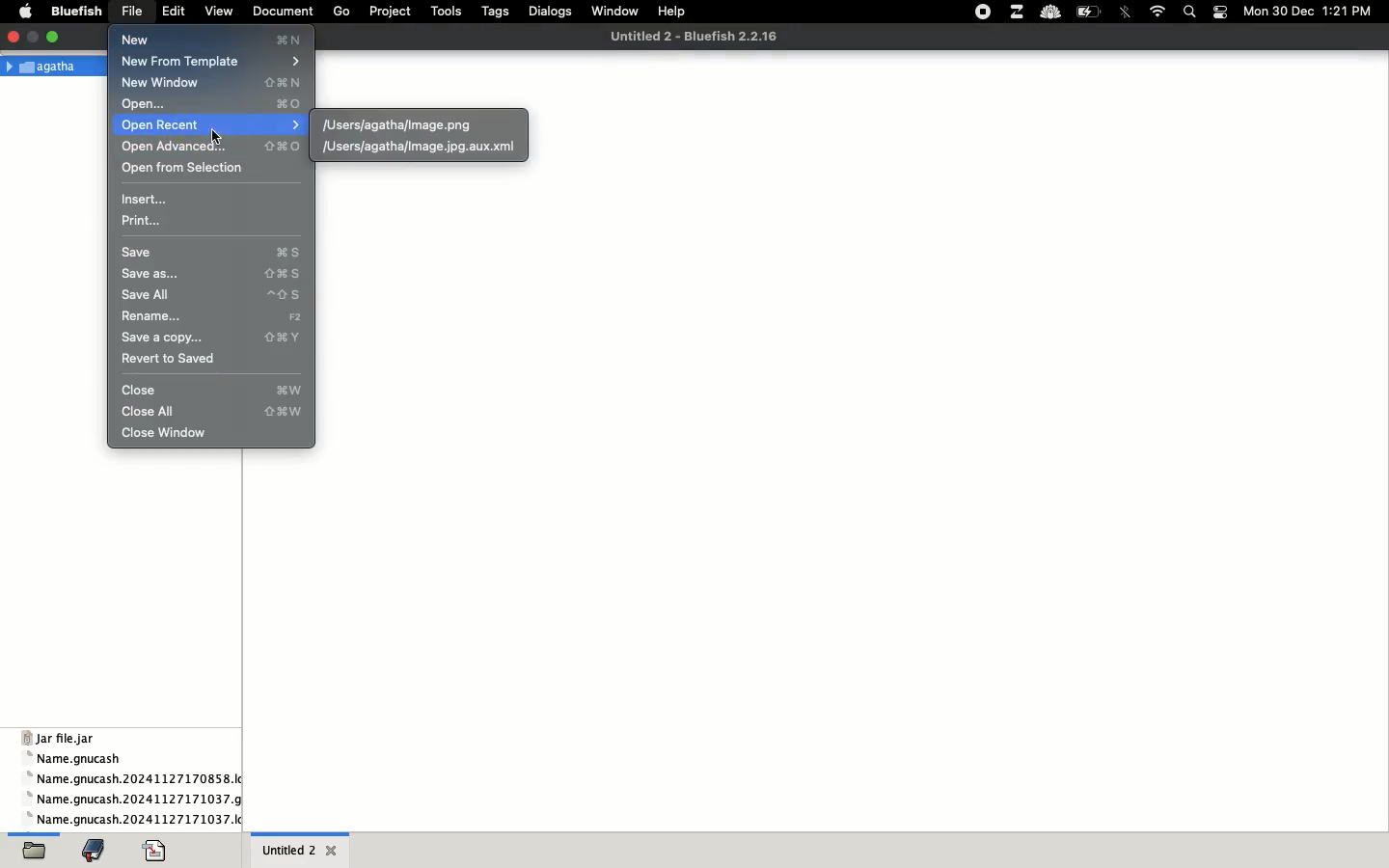 Image resolution: width=1389 pixels, height=868 pixels. Describe the element at coordinates (167, 433) in the screenshot. I see `close window` at that location.